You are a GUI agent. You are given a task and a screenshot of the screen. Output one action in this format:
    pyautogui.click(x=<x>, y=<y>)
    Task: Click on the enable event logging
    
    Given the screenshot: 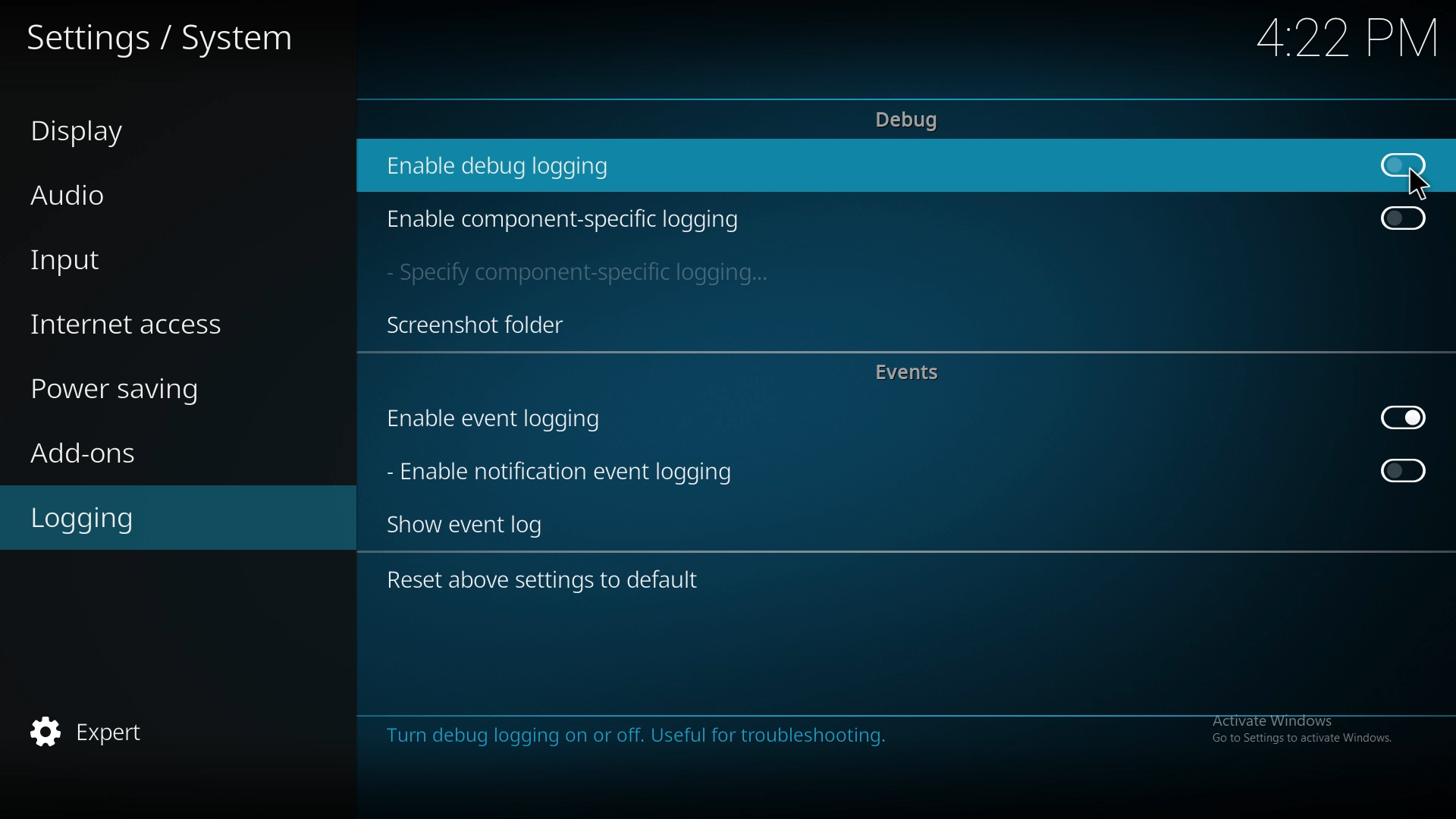 What is the action you would take?
    pyautogui.click(x=514, y=419)
    